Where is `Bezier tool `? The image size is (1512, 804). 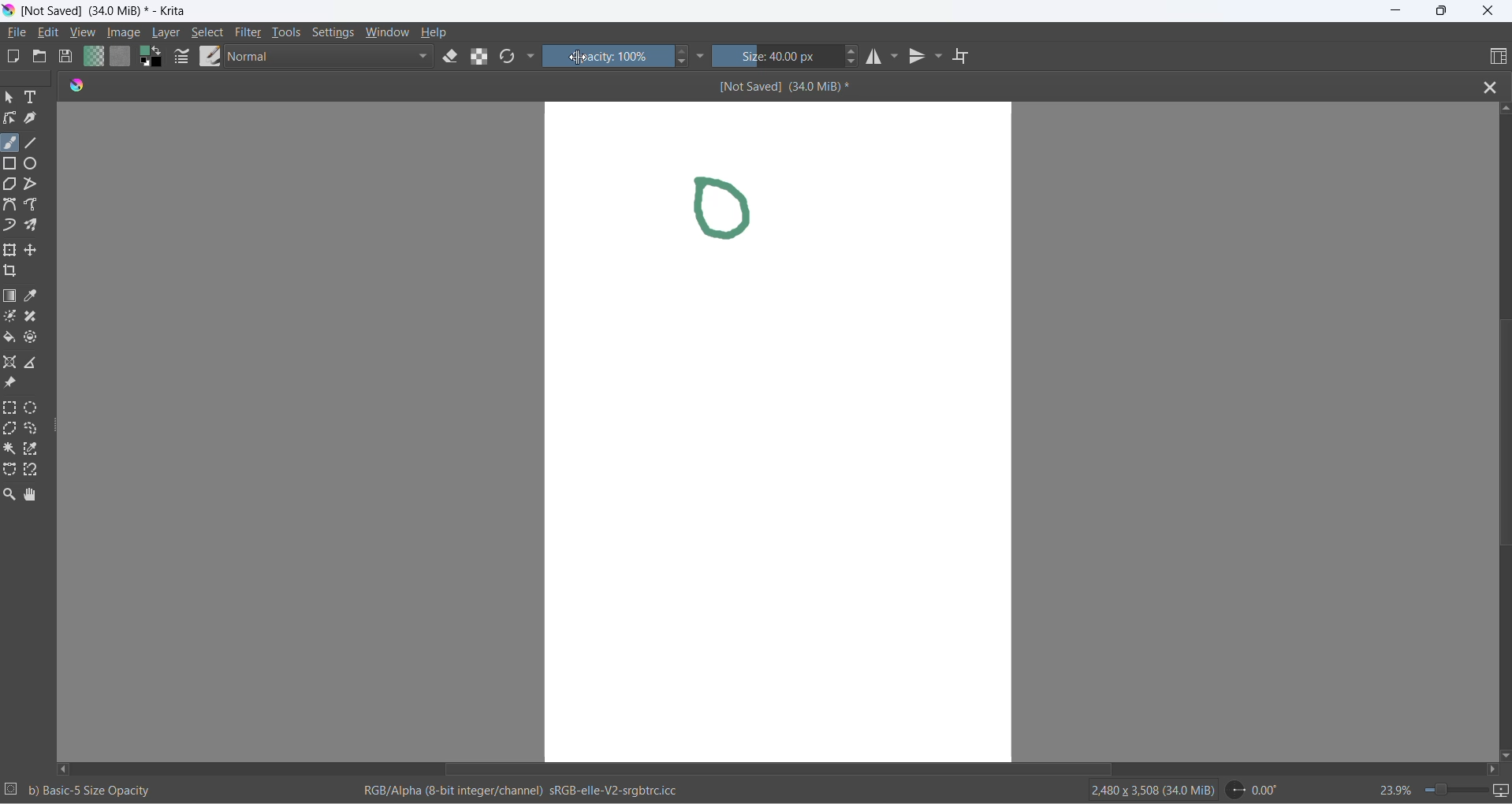 Bezier tool  is located at coordinates (10, 206).